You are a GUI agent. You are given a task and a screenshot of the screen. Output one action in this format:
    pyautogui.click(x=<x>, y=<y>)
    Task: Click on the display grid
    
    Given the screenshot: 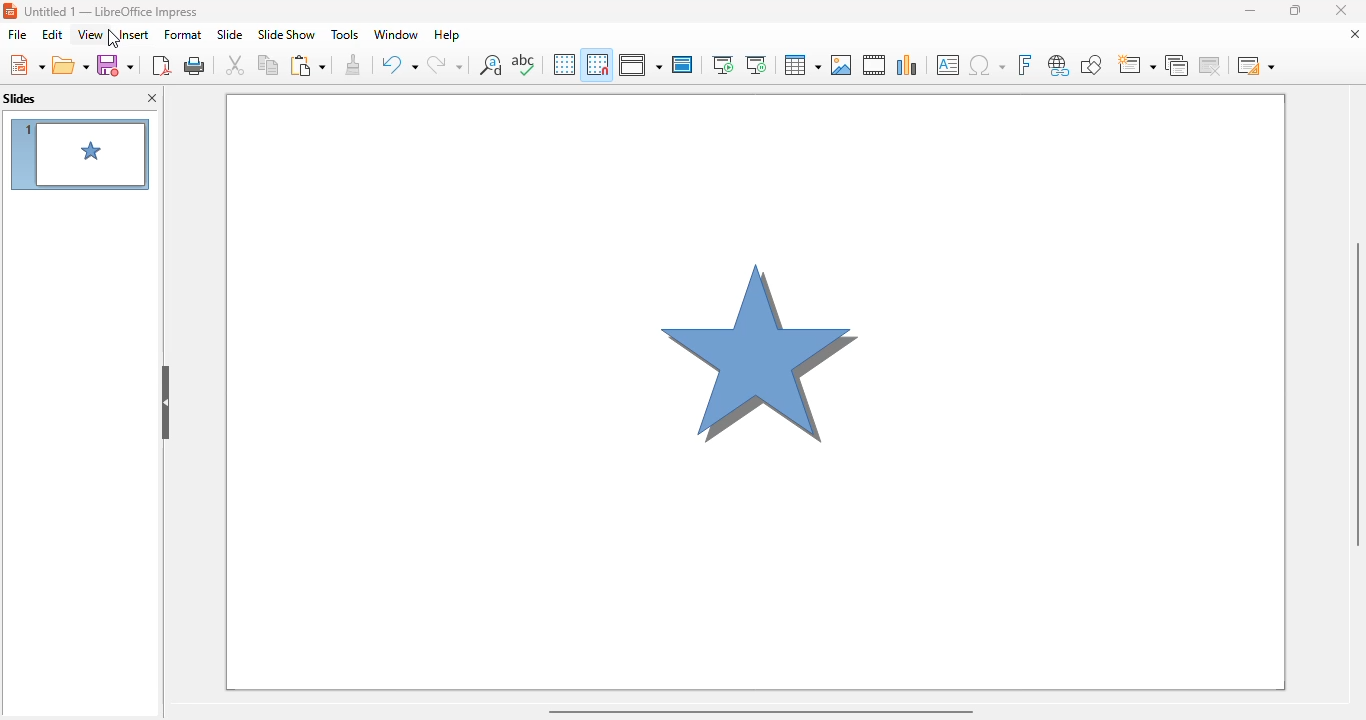 What is the action you would take?
    pyautogui.click(x=564, y=64)
    